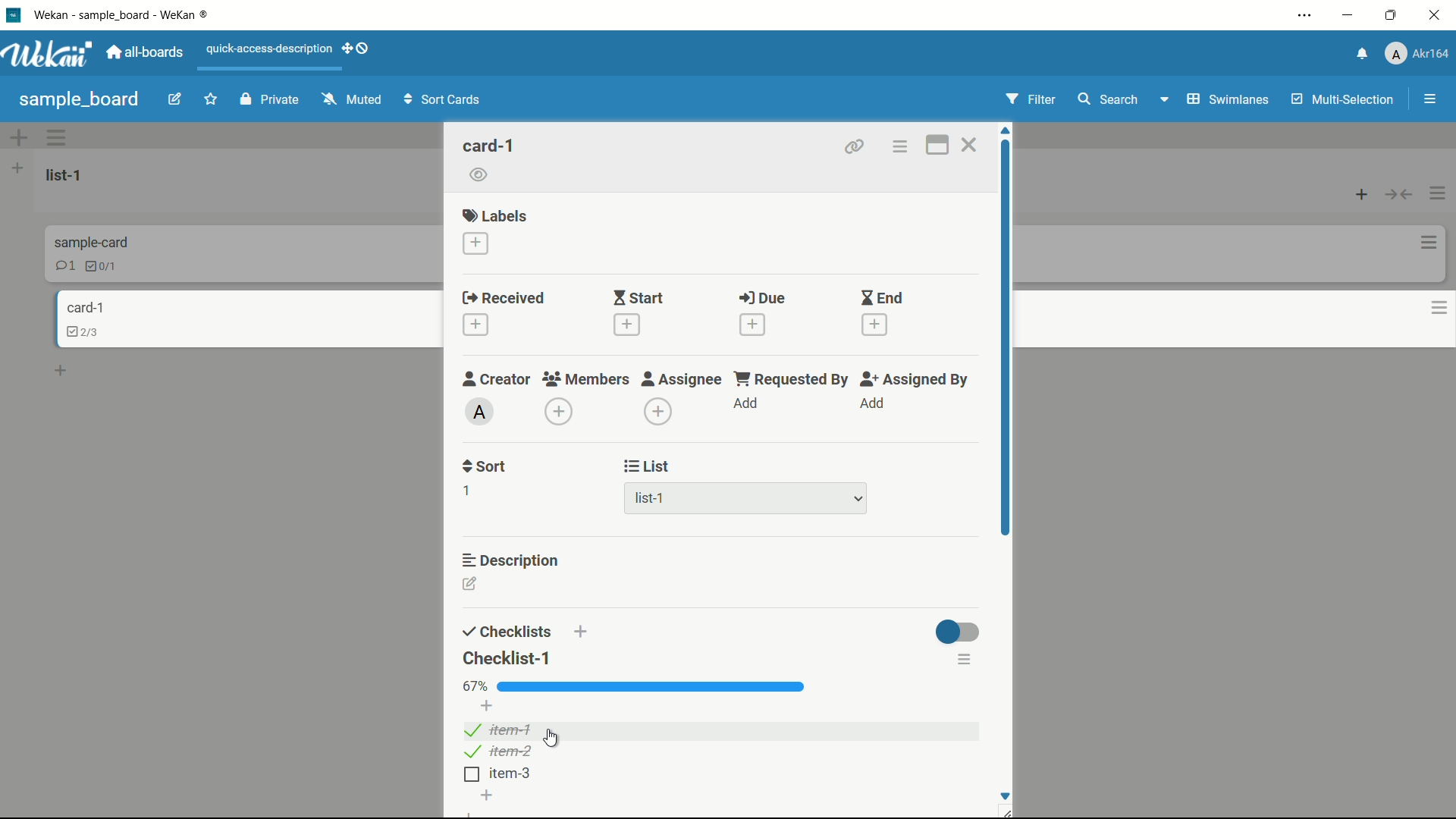  What do you see at coordinates (965, 658) in the screenshot?
I see `checklist actions` at bounding box center [965, 658].